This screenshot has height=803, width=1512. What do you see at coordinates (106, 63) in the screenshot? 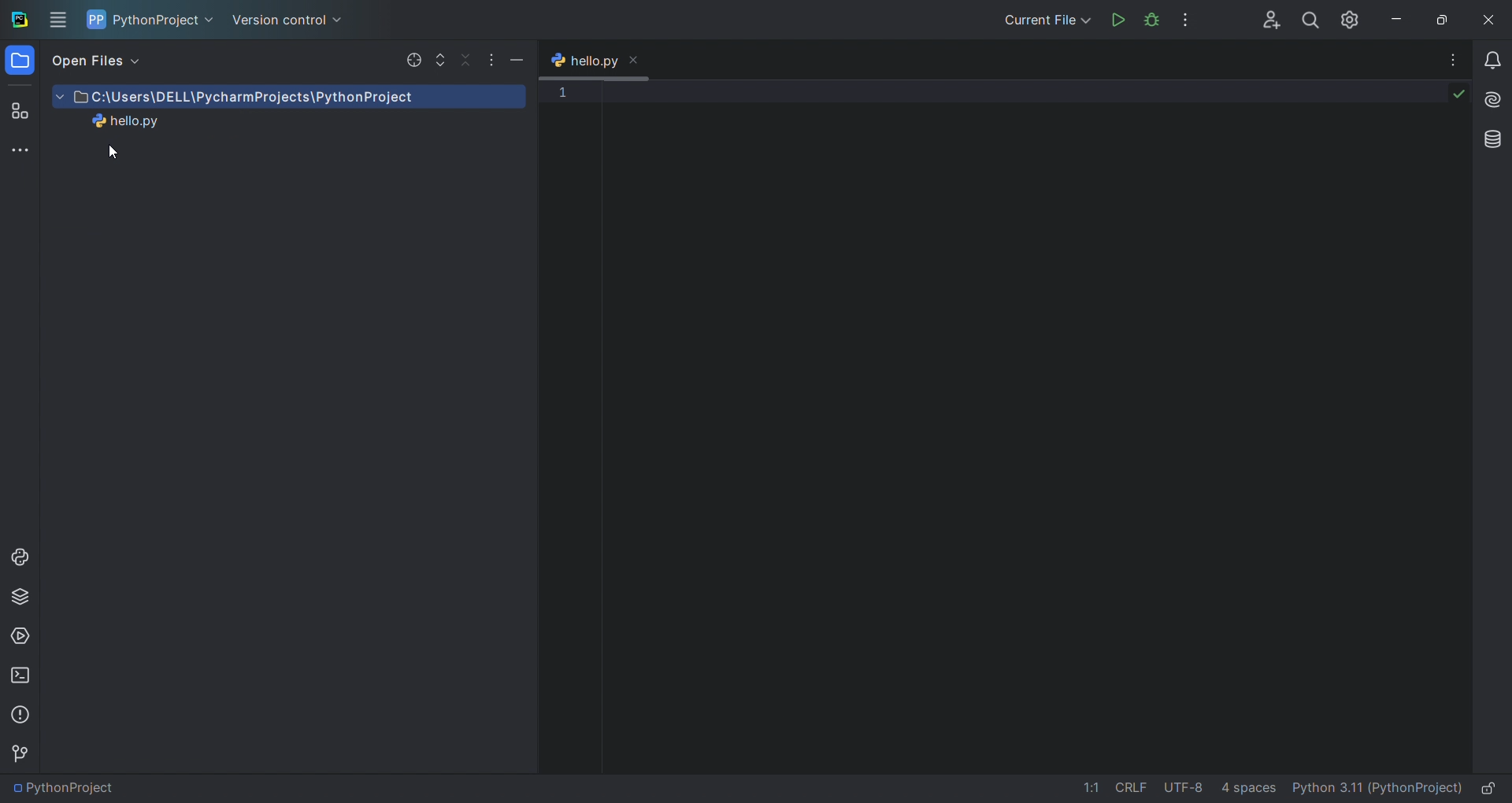
I see `open files view` at bounding box center [106, 63].